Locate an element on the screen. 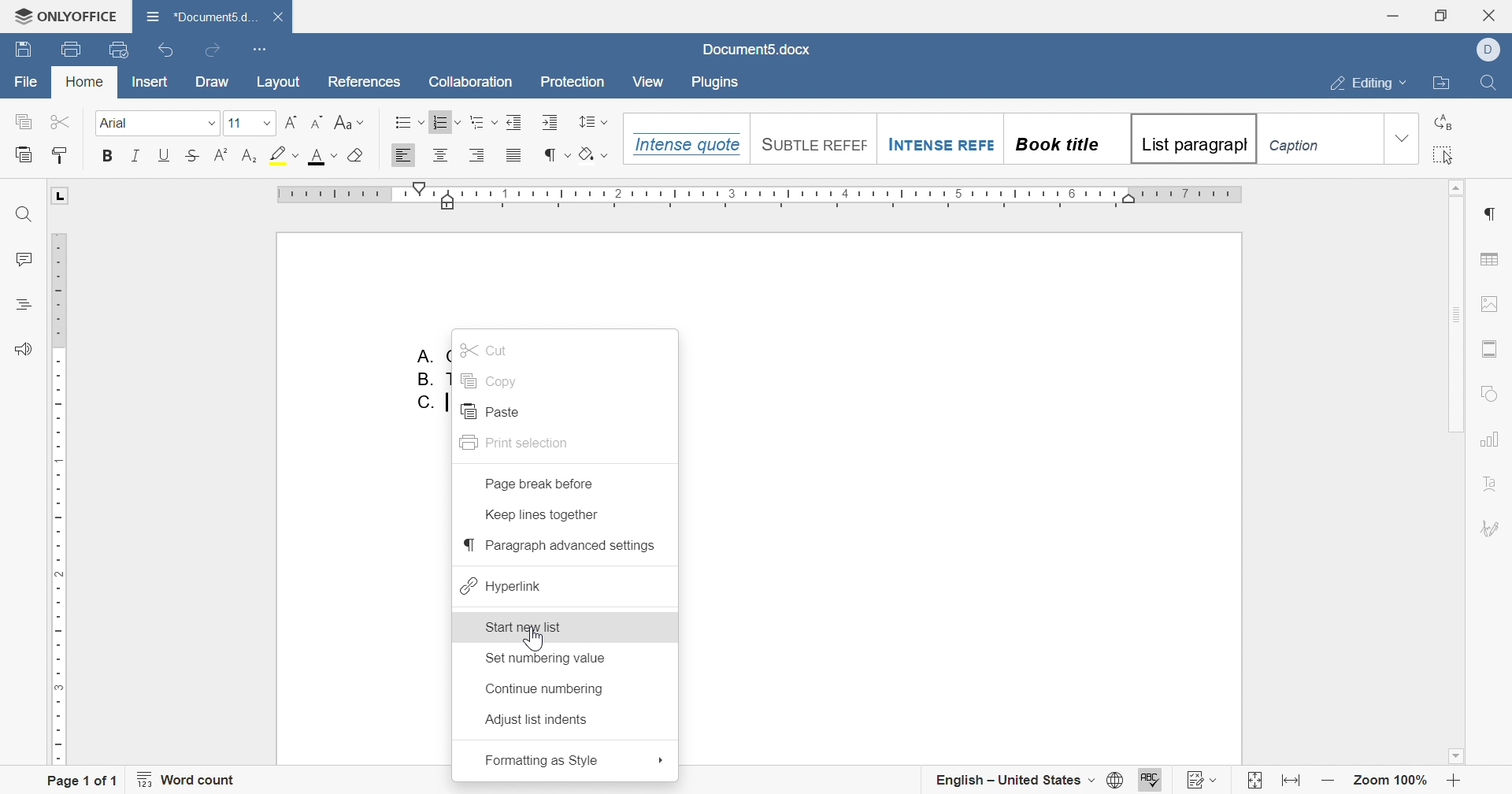 Image resolution: width=1512 pixels, height=794 pixels. signature settings is located at coordinates (1492, 528).